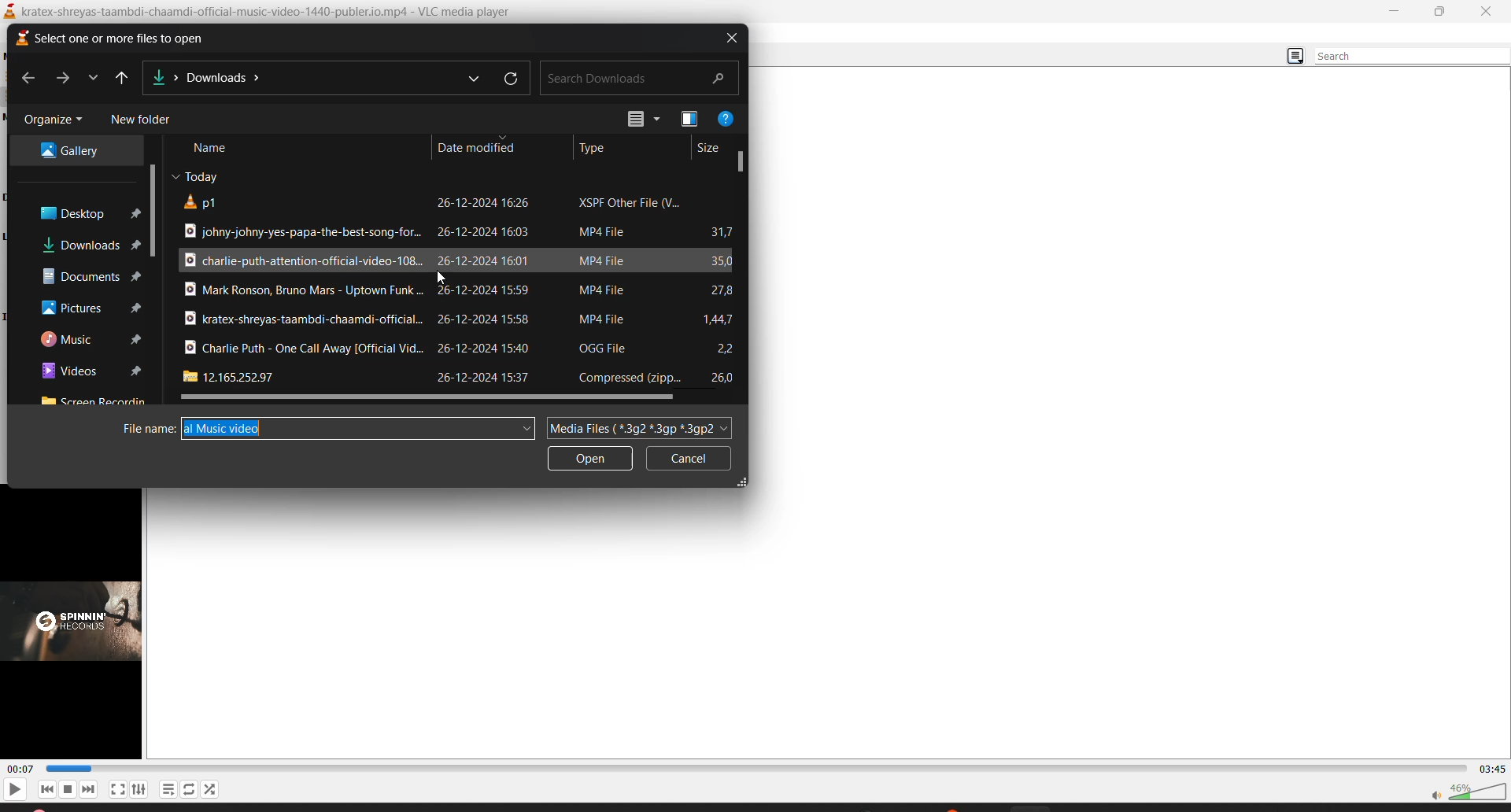 The height and width of the screenshot is (812, 1511). What do you see at coordinates (1493, 767) in the screenshot?
I see `total track time` at bounding box center [1493, 767].